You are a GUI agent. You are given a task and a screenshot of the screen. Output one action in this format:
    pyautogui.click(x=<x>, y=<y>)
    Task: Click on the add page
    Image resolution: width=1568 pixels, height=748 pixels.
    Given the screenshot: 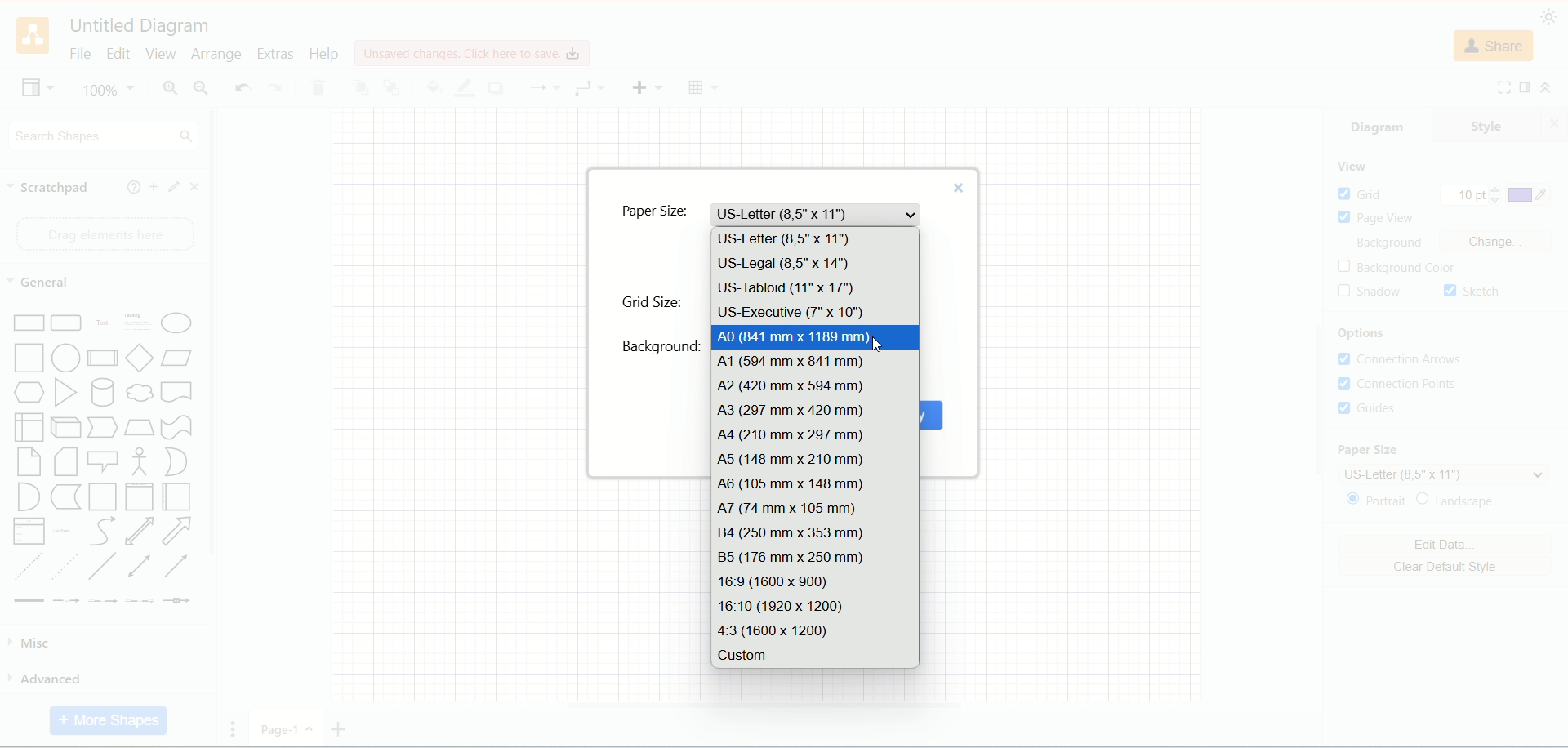 What is the action you would take?
    pyautogui.click(x=344, y=728)
    